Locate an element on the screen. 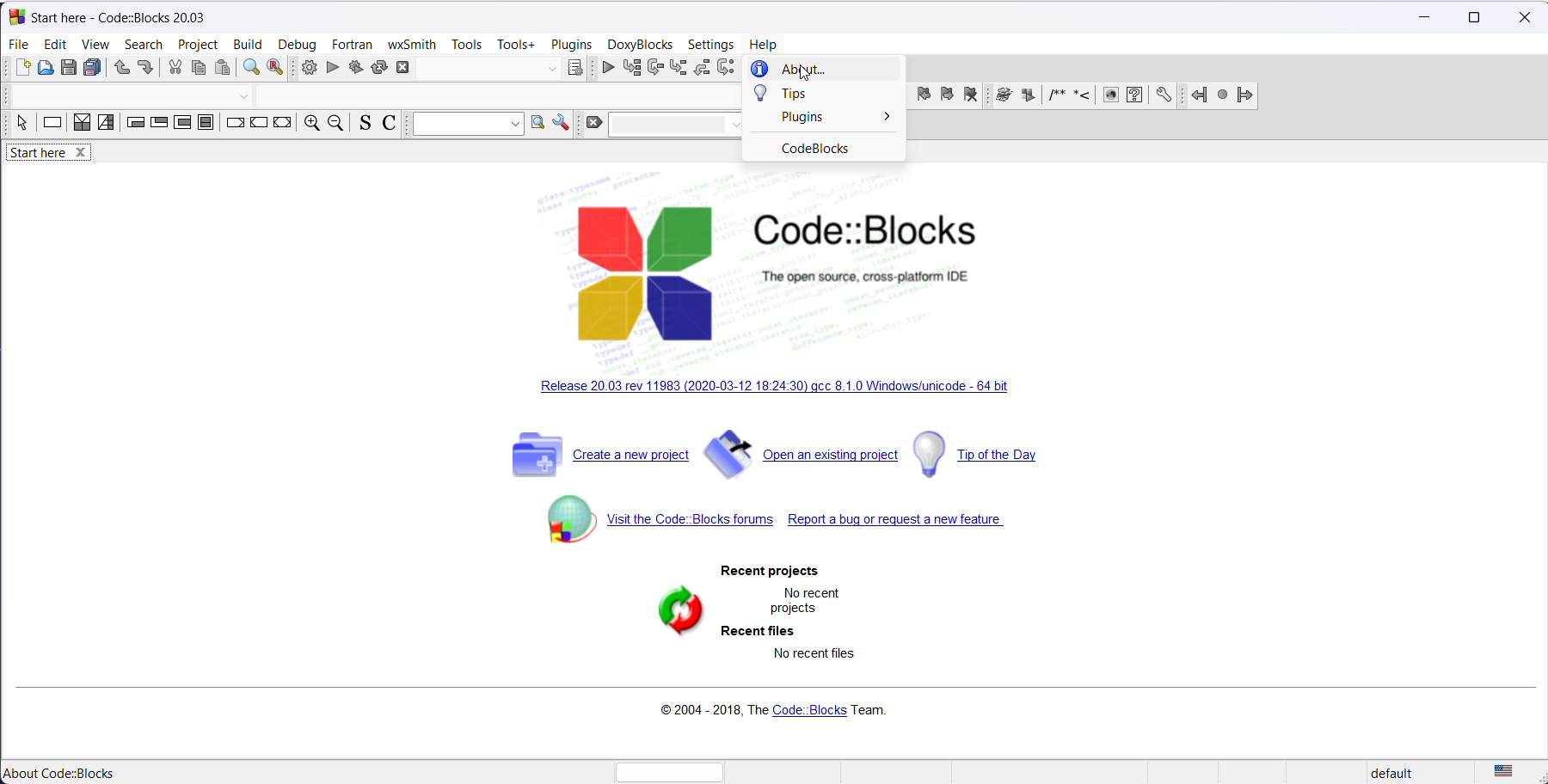  text language is located at coordinates (1508, 772).